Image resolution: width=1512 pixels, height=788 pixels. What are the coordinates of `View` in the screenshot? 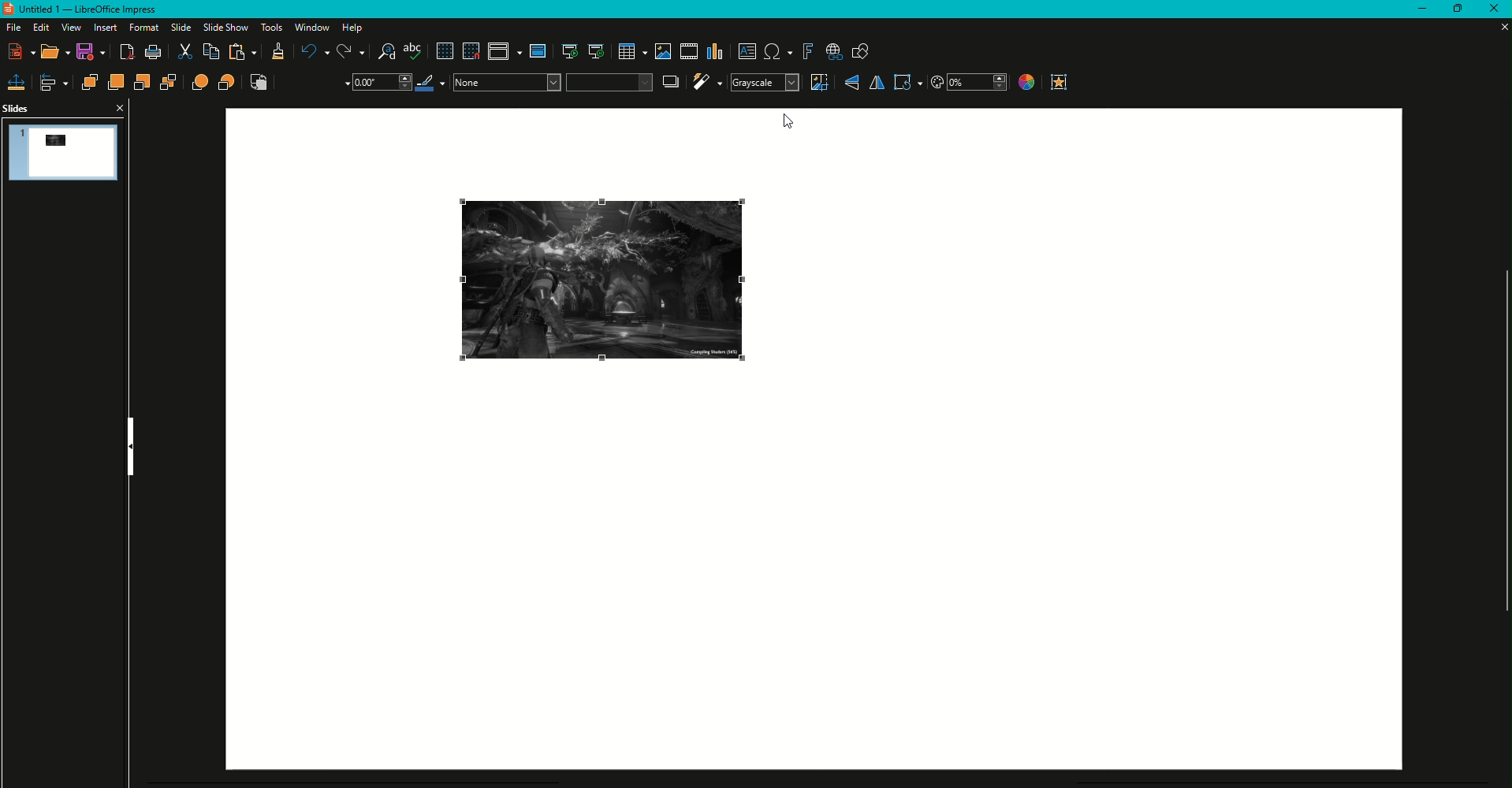 It's located at (69, 28).